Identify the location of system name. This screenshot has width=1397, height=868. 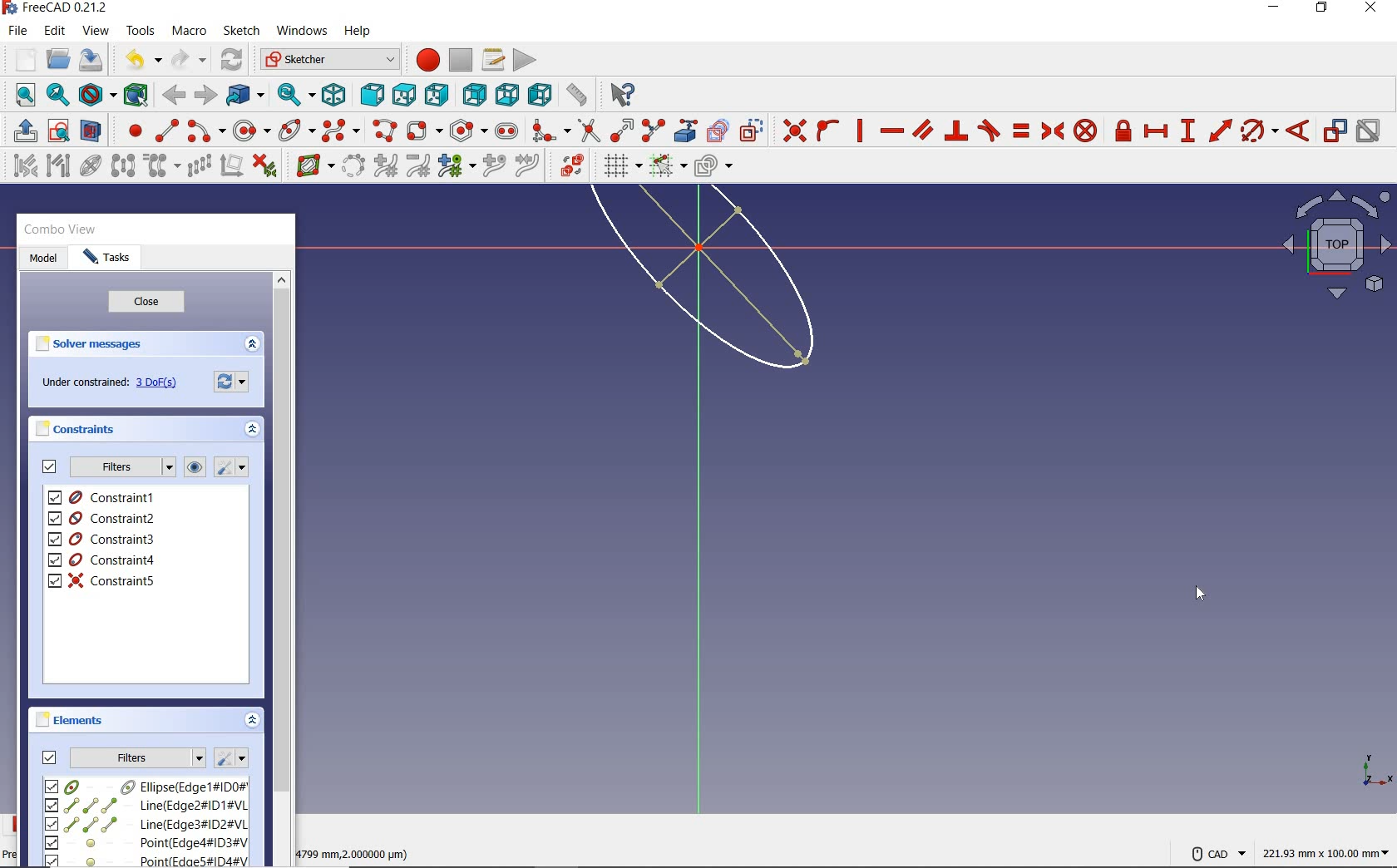
(56, 8).